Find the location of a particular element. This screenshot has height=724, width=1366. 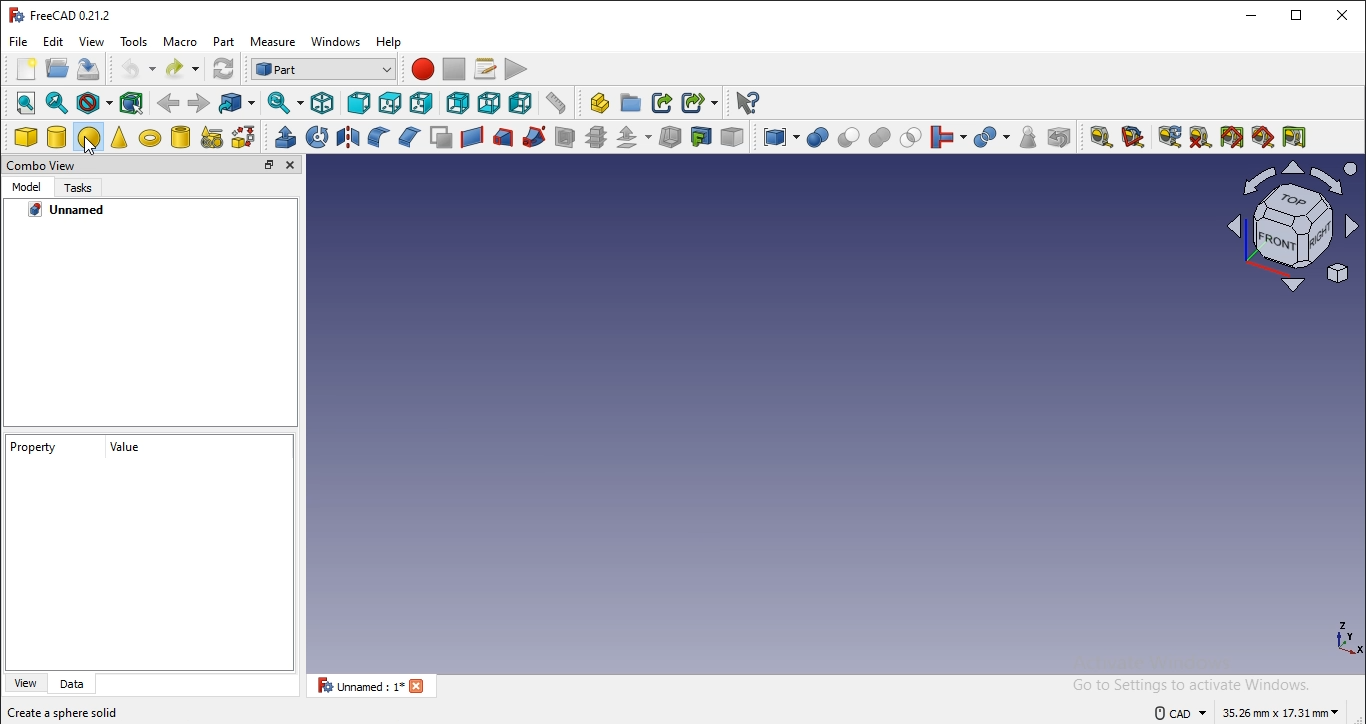

color per surface is located at coordinates (733, 137).